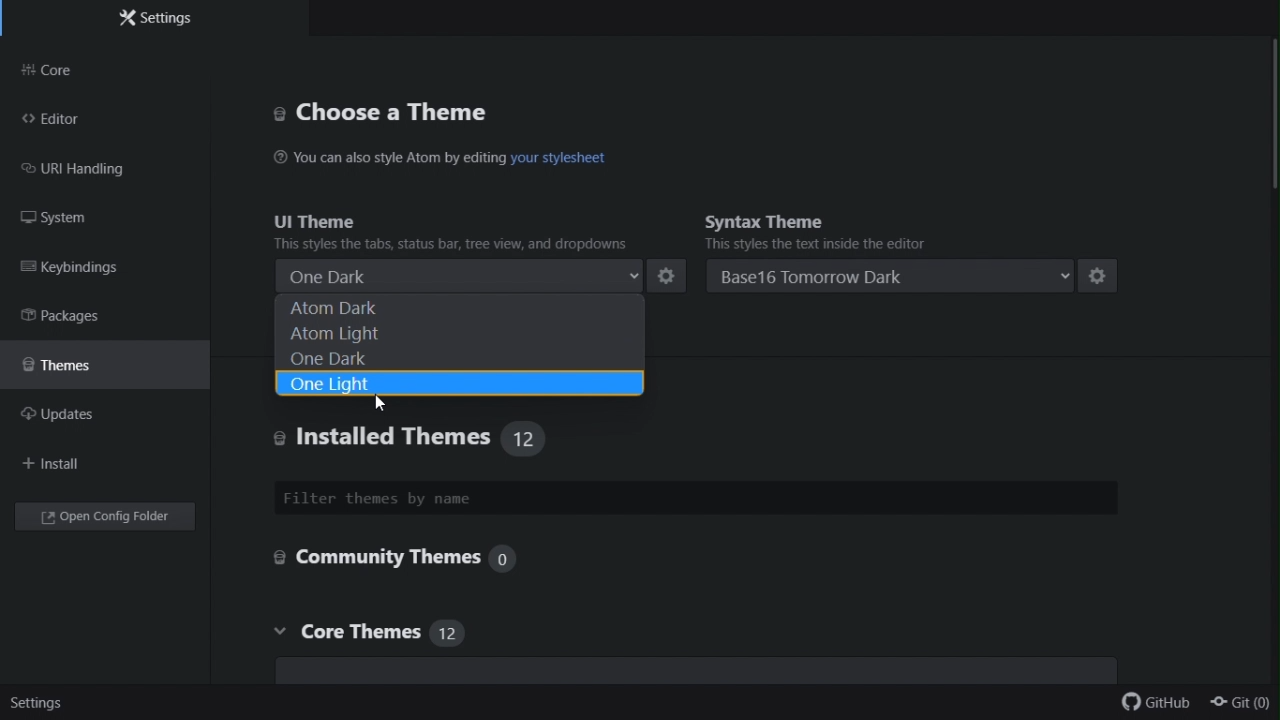 This screenshot has height=720, width=1280. What do you see at coordinates (457, 243) in the screenshot?
I see `This styles the tabs, status bar, tree view, and dropdowns` at bounding box center [457, 243].